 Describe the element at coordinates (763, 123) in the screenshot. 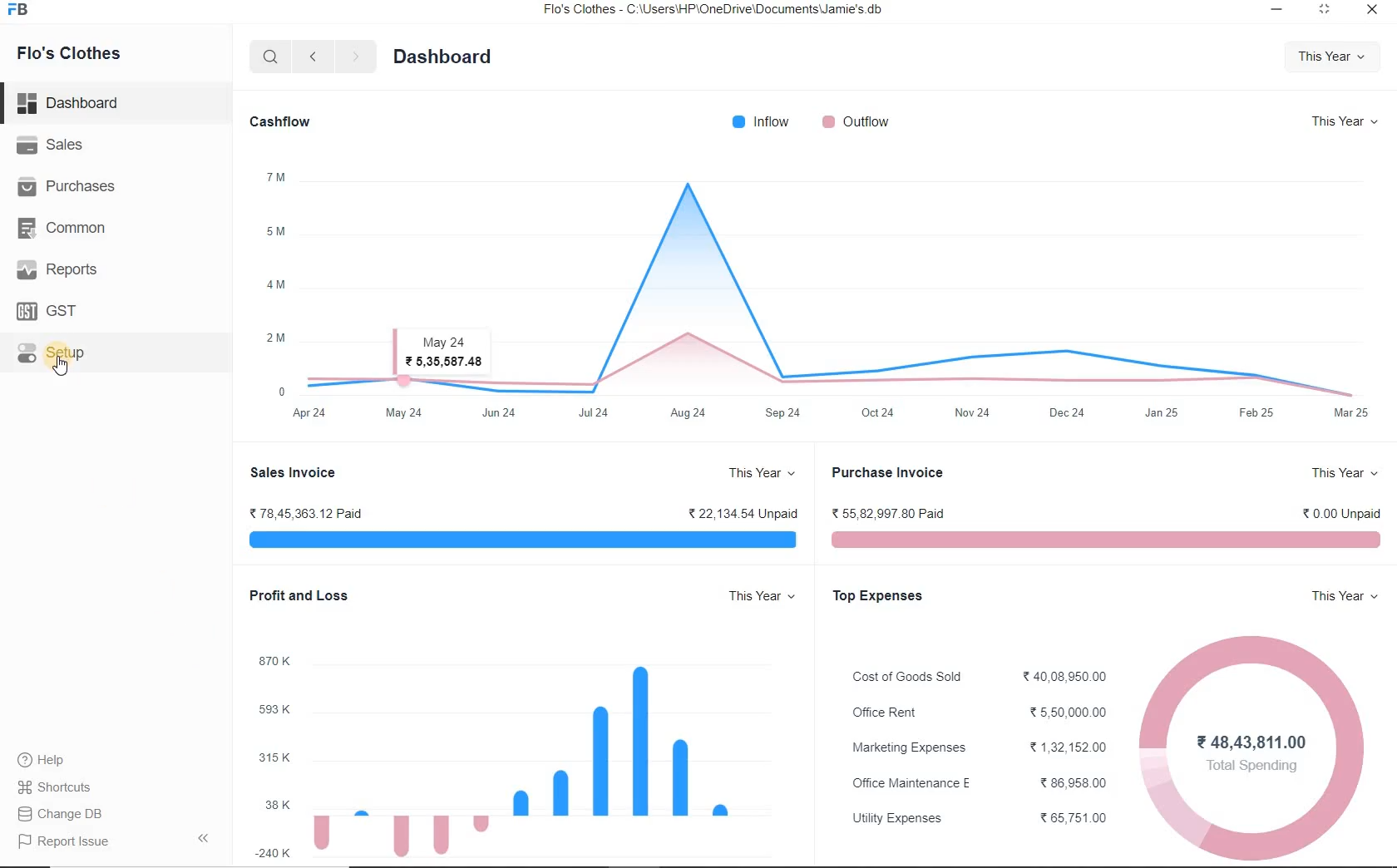

I see `| Inflow` at that location.